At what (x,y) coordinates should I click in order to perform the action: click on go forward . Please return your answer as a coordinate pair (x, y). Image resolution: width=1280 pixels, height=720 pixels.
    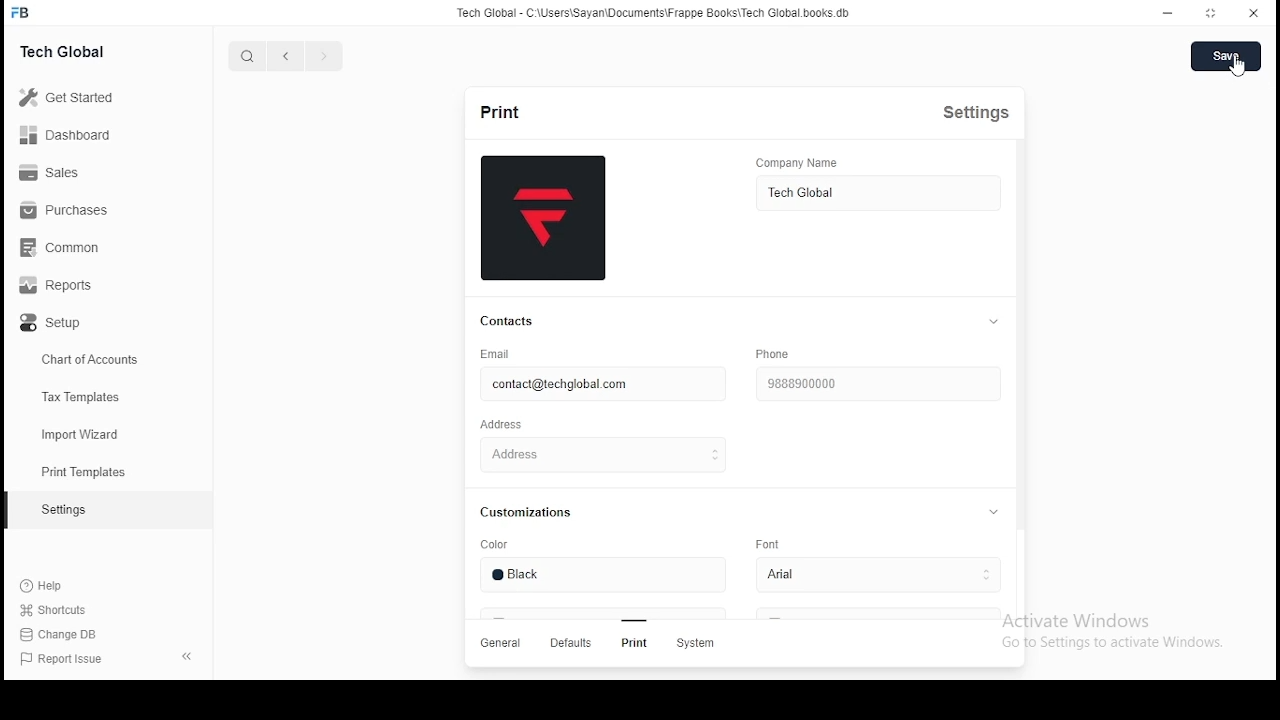
    Looking at the image, I should click on (323, 58).